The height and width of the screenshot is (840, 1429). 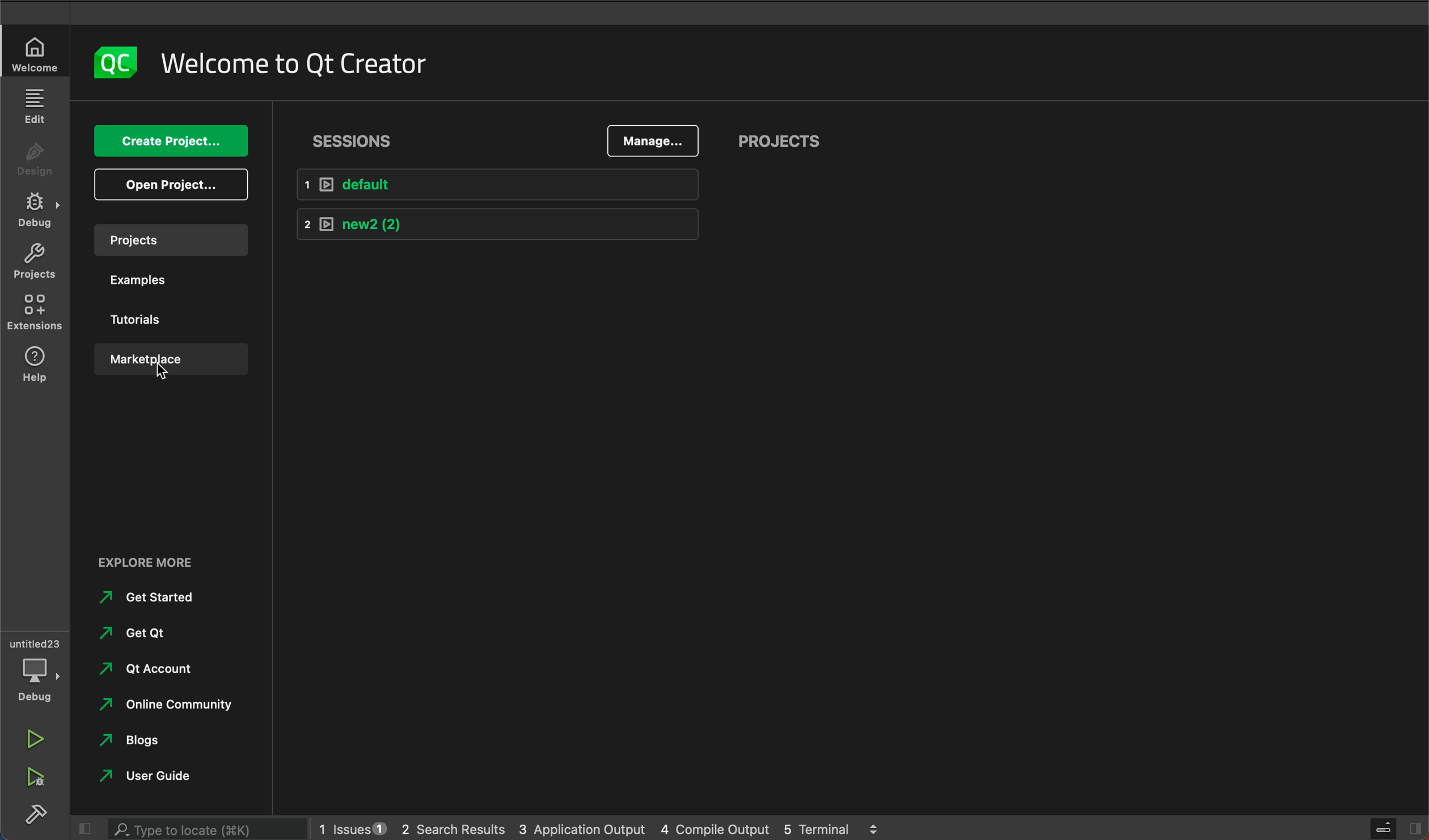 I want to click on open projects, so click(x=172, y=183).